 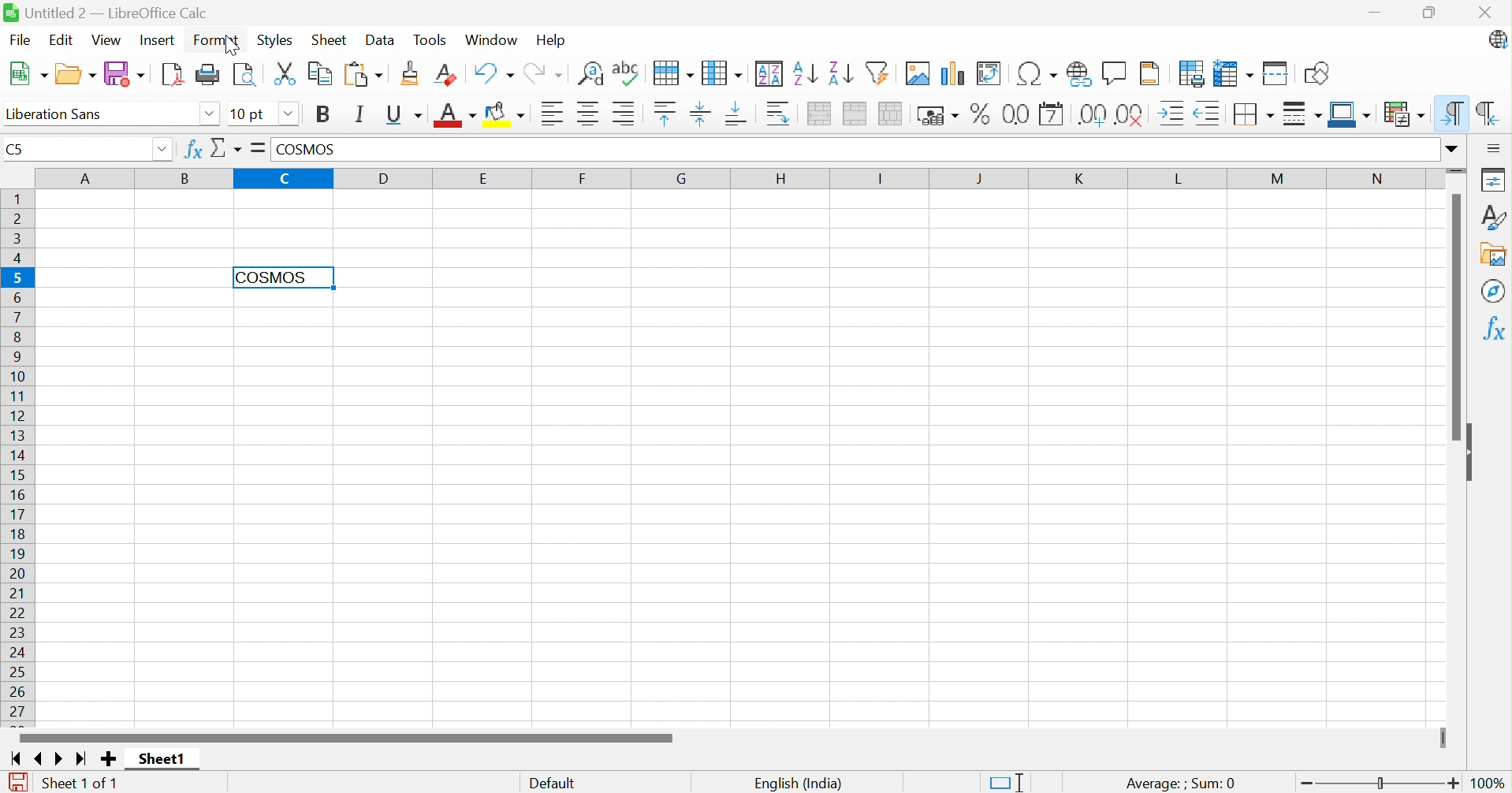 I want to click on Styles, so click(x=1495, y=217).